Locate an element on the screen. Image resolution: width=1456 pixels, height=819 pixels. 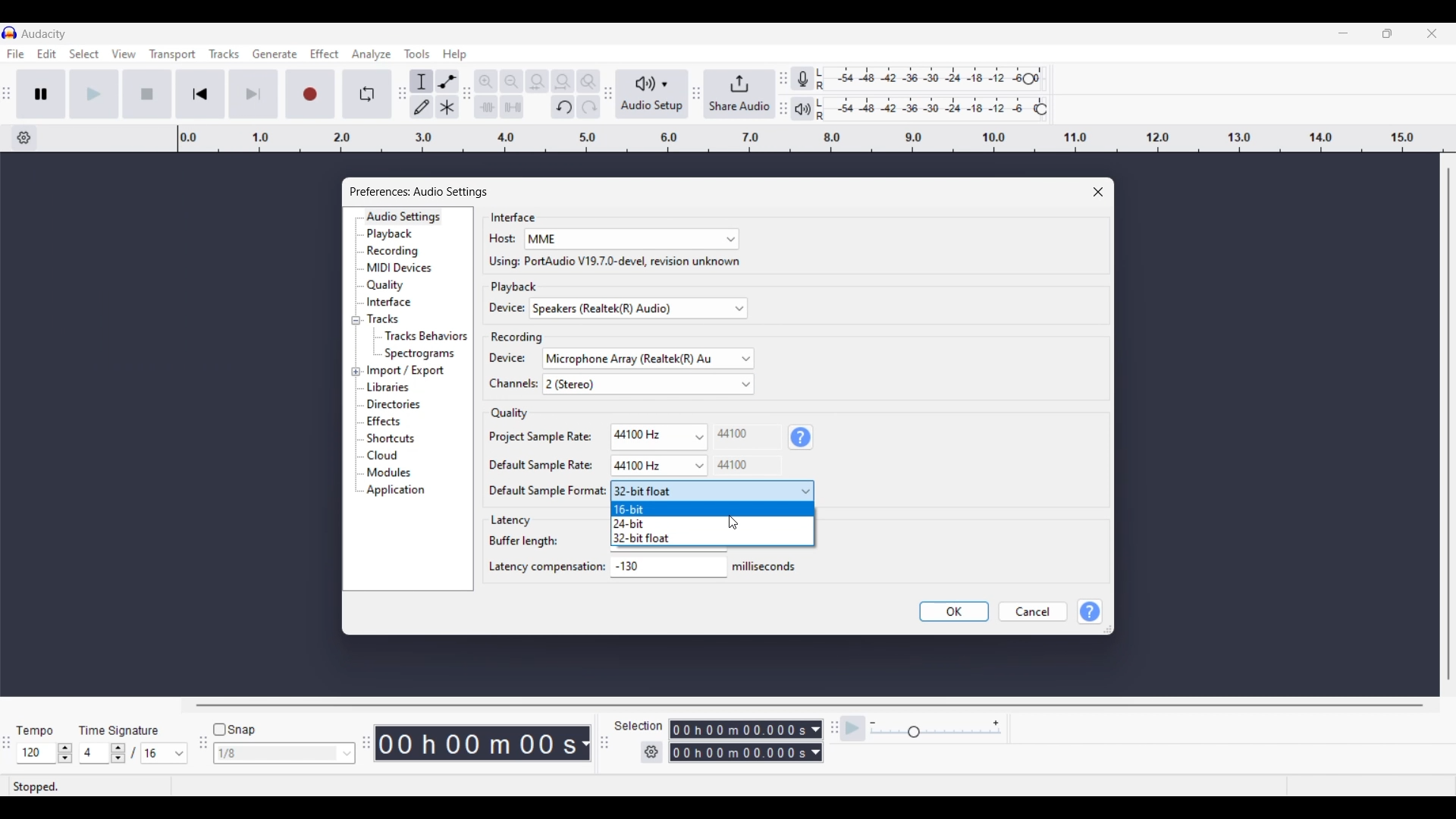
Fit project to width is located at coordinates (563, 81).